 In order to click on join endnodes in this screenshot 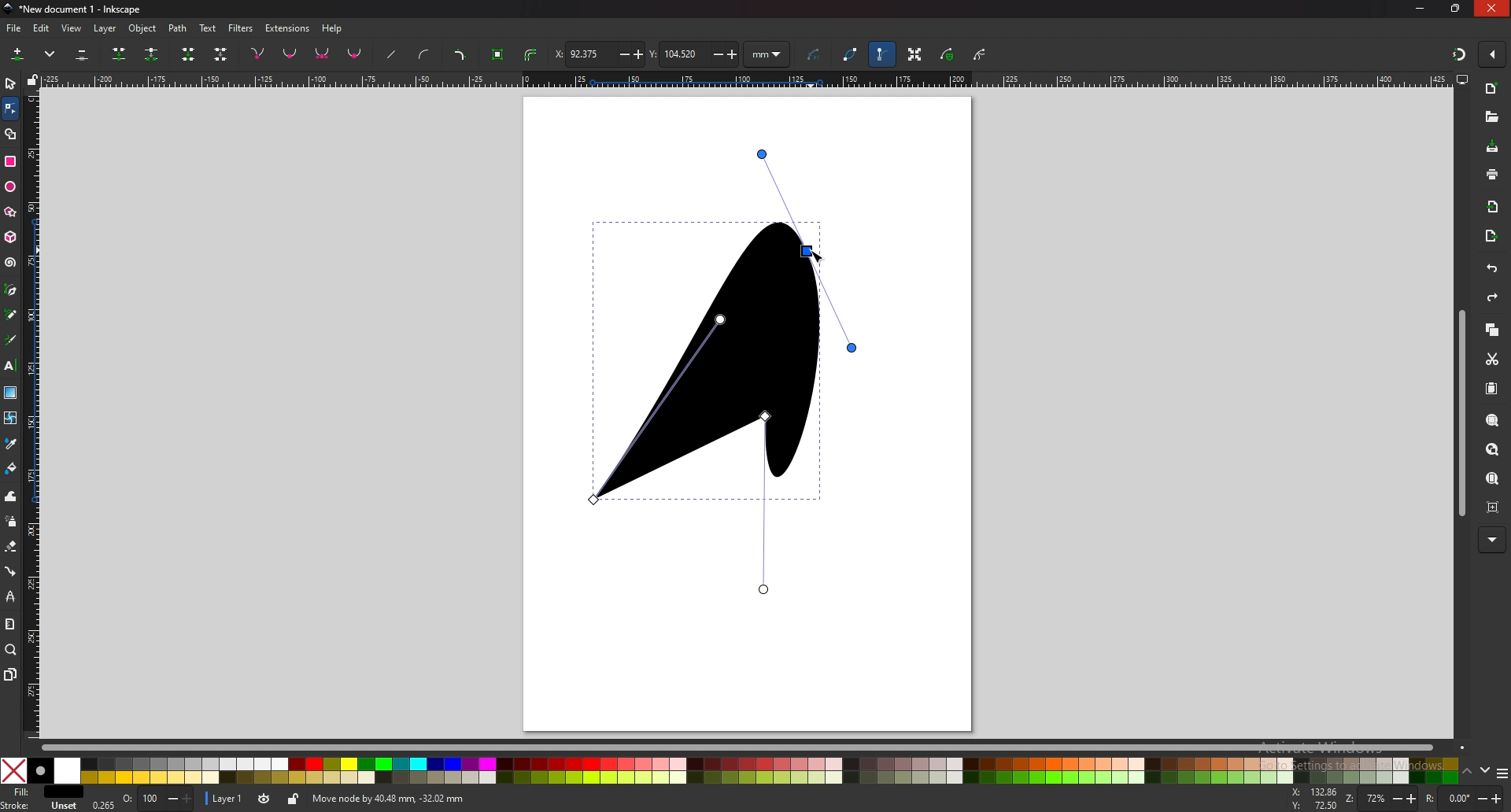, I will do `click(190, 54)`.